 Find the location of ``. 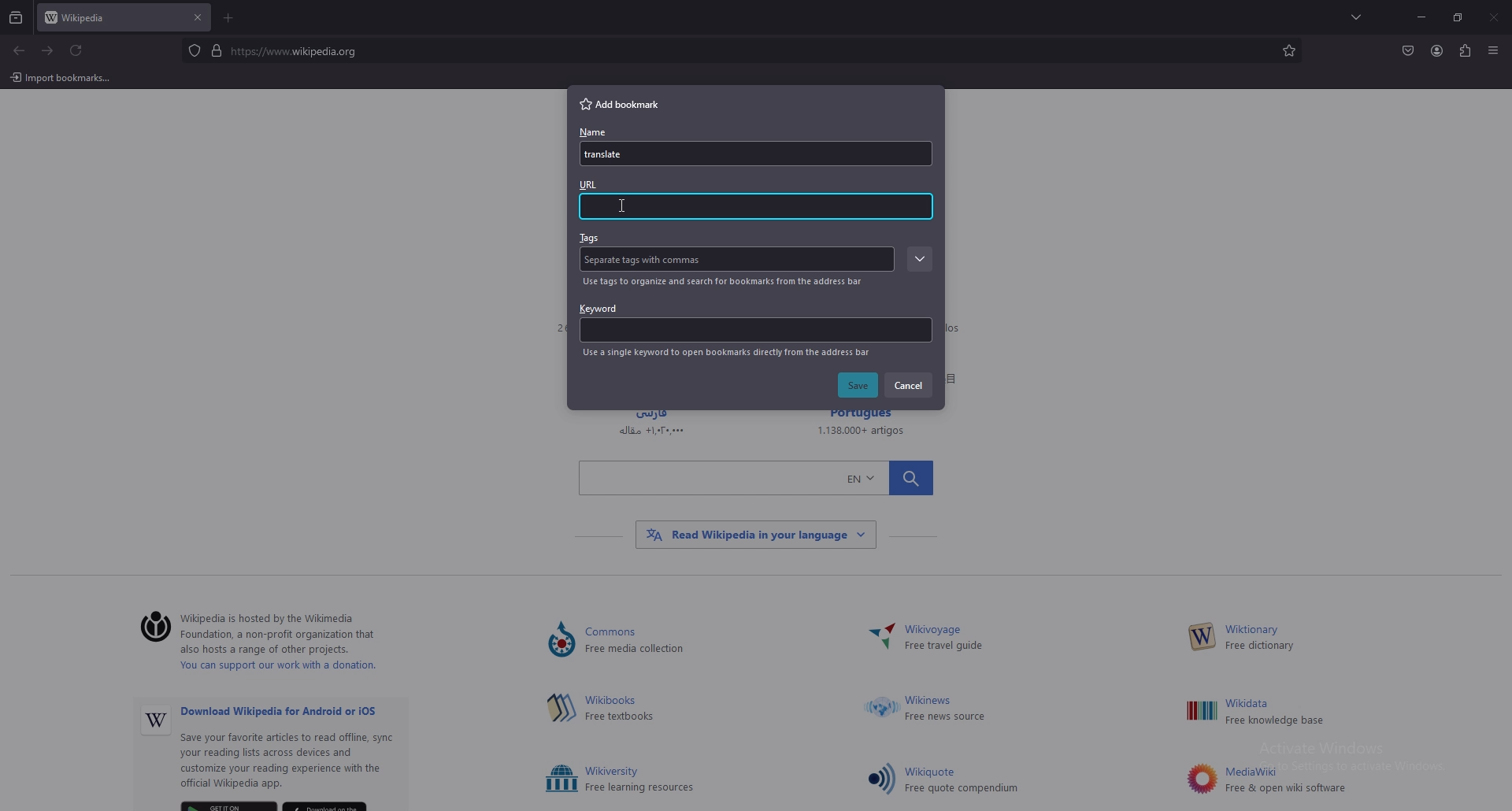

 is located at coordinates (755, 535).